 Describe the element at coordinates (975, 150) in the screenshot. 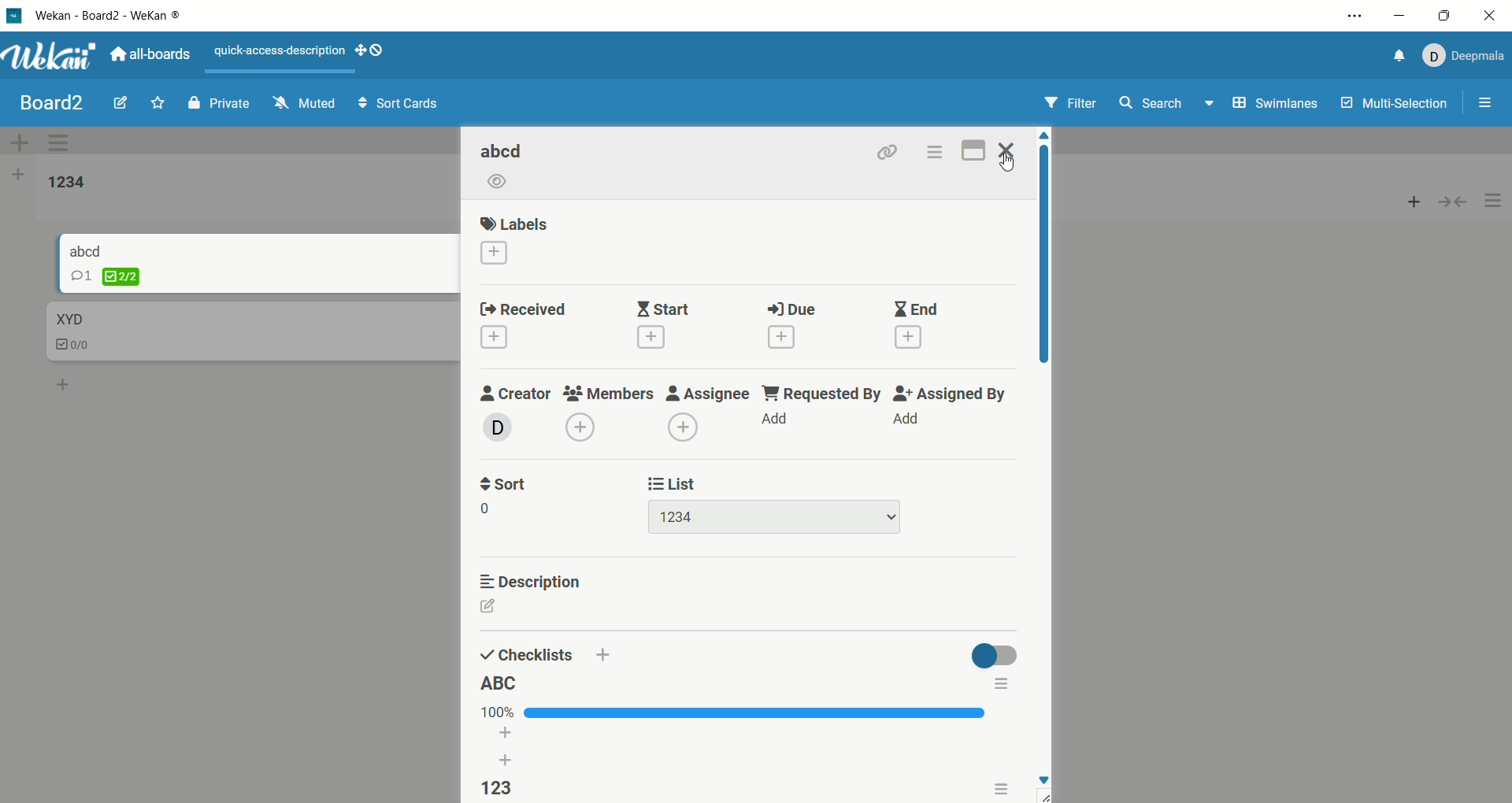

I see `maximize` at that location.